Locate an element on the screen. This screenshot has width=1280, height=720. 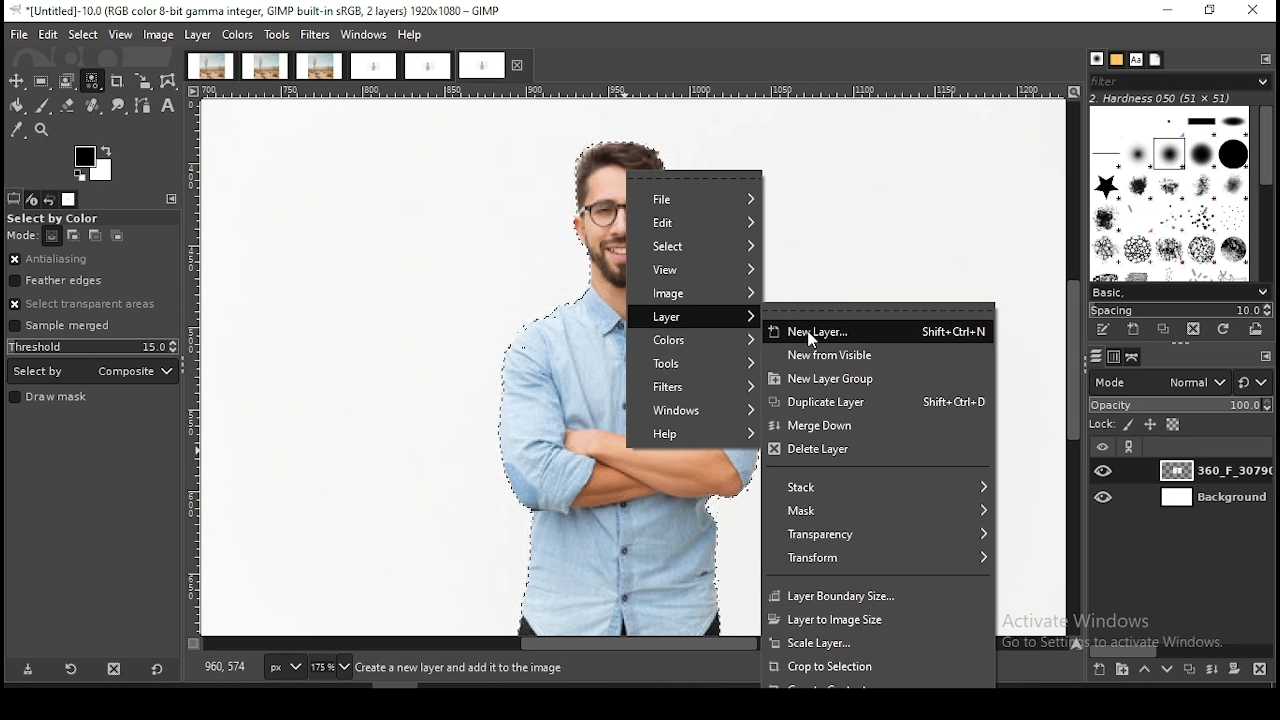
merge down is located at coordinates (875, 428).